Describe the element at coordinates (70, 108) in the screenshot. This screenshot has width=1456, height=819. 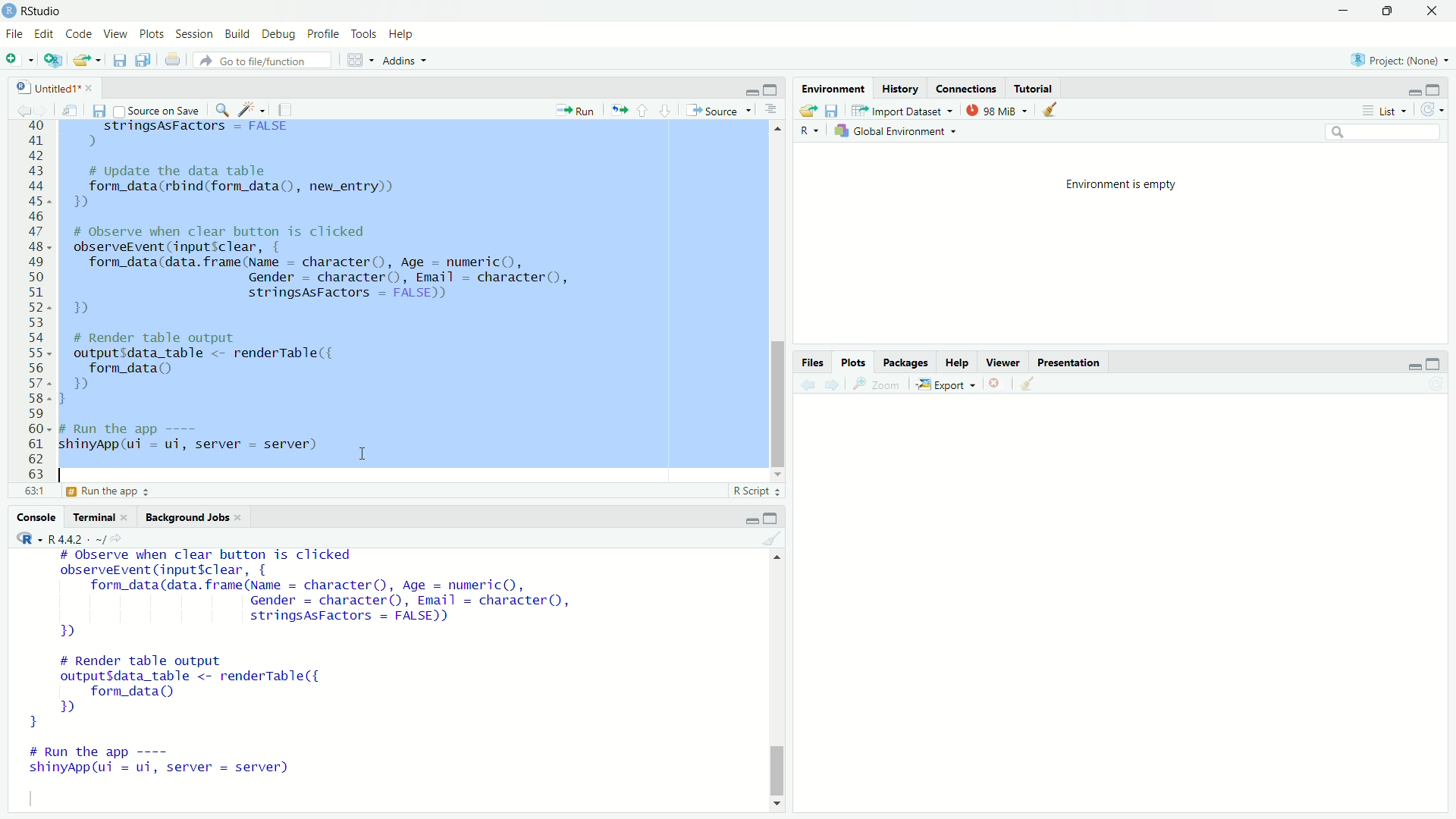
I see `show in new window` at that location.